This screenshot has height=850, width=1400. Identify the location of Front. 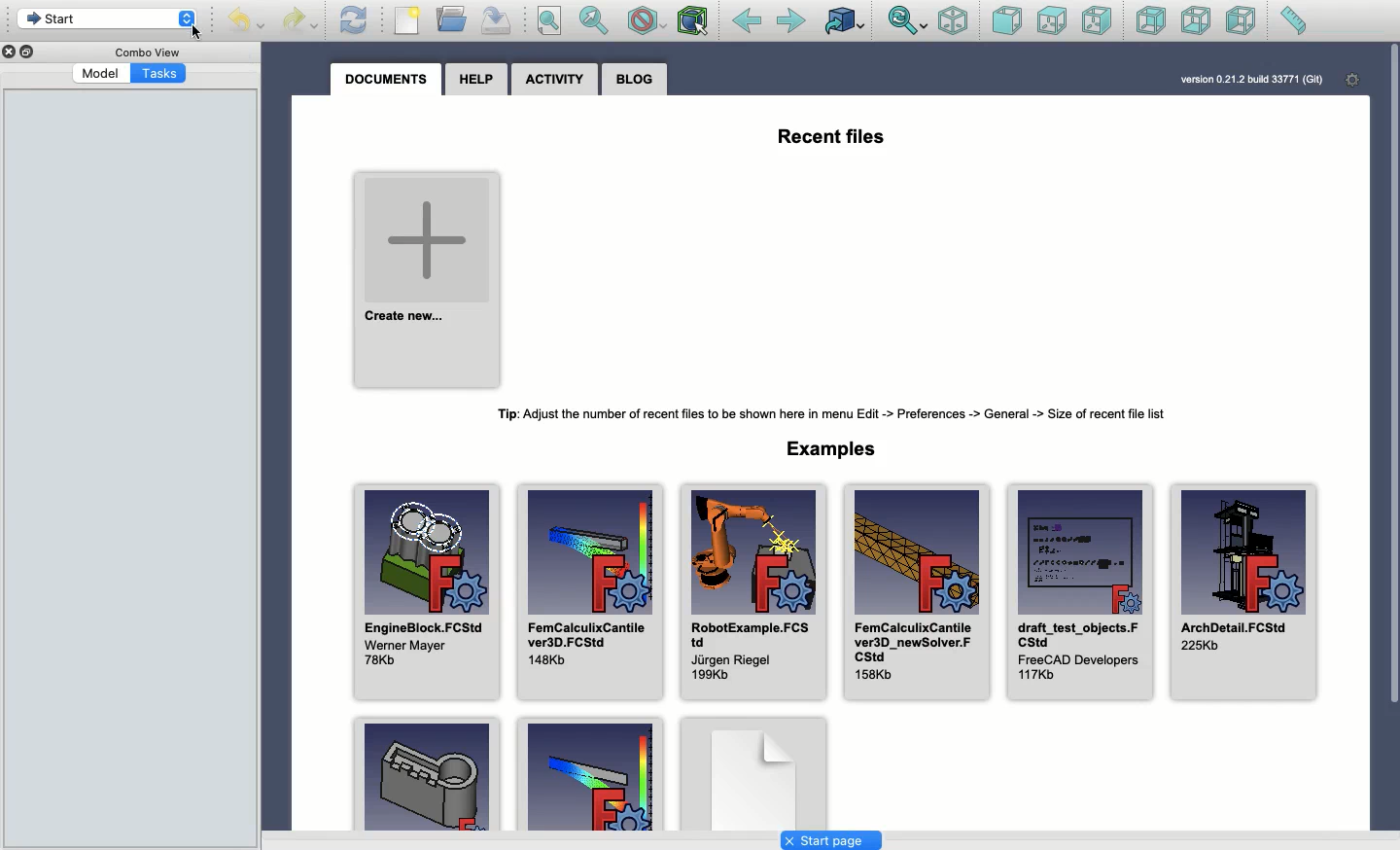
(1007, 22).